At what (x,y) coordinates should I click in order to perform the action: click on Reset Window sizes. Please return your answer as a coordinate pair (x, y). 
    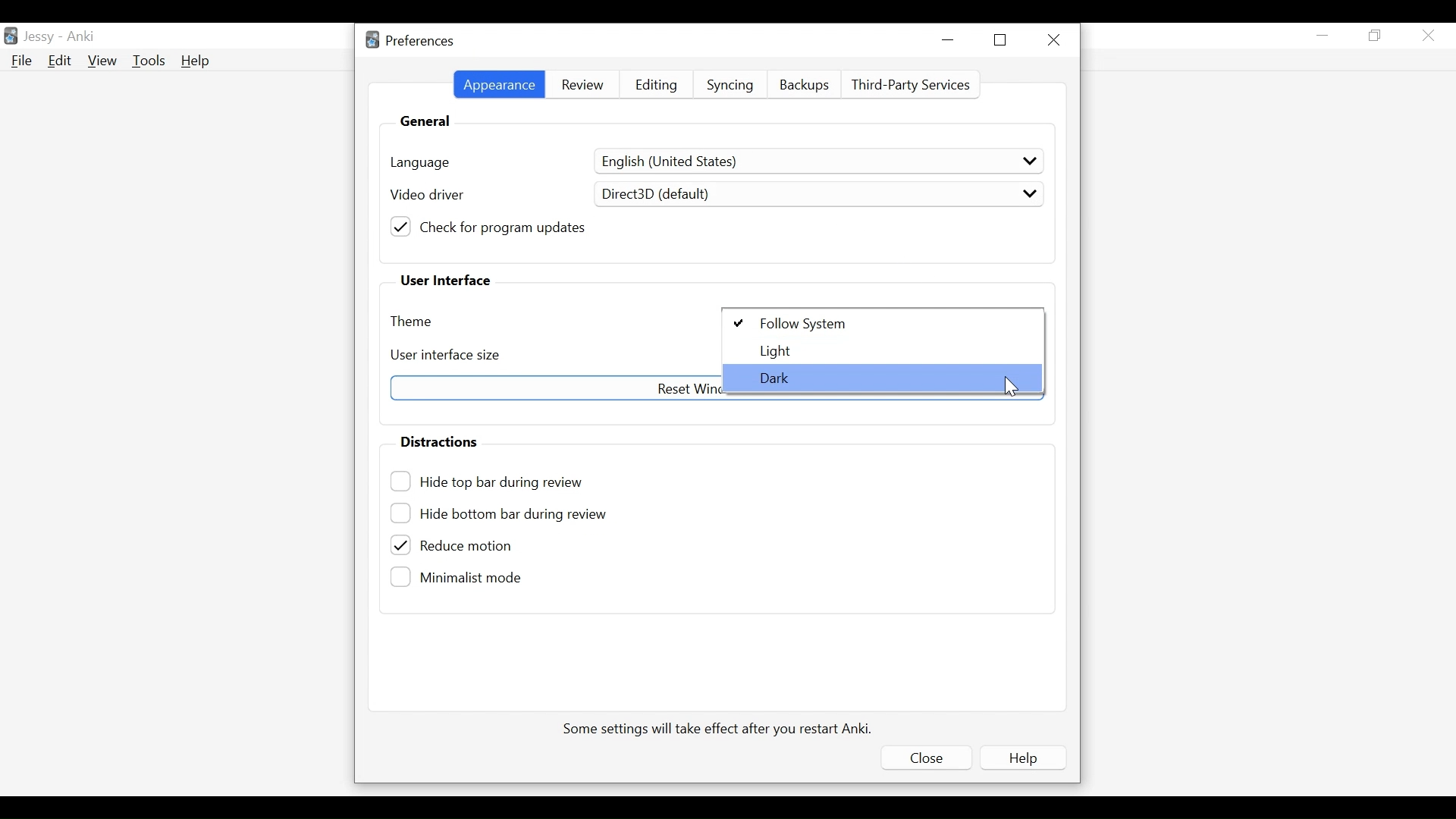
    Looking at the image, I should click on (554, 387).